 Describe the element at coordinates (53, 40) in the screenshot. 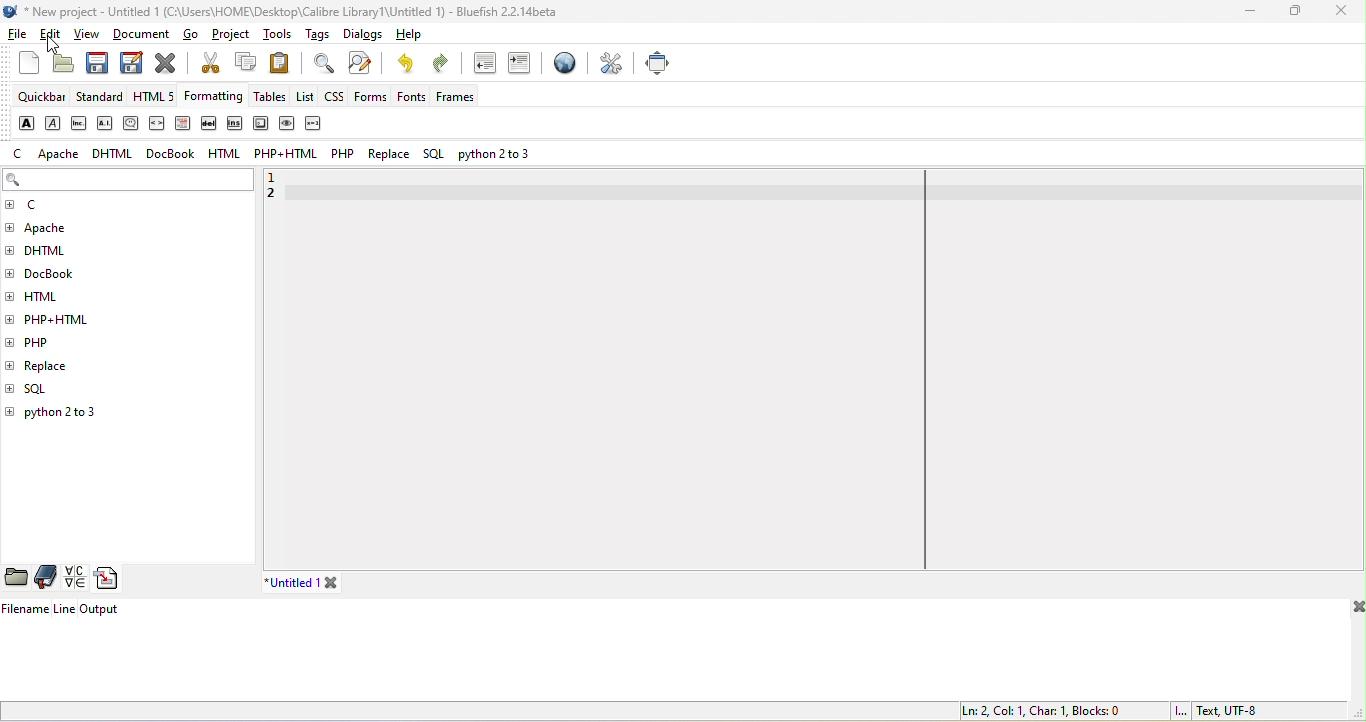

I see `cursor` at that location.